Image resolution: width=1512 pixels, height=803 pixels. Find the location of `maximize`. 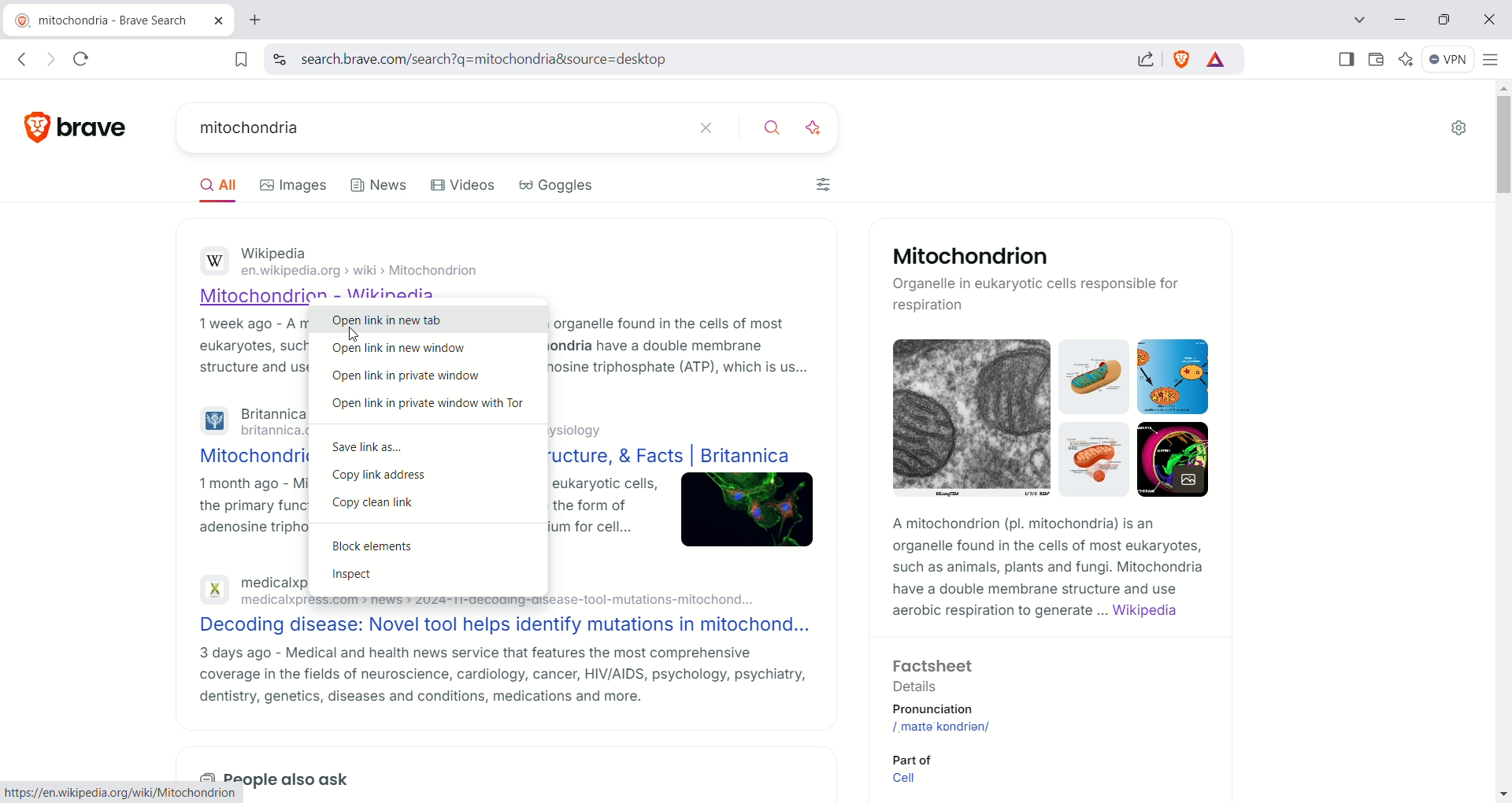

maximize is located at coordinates (1444, 20).